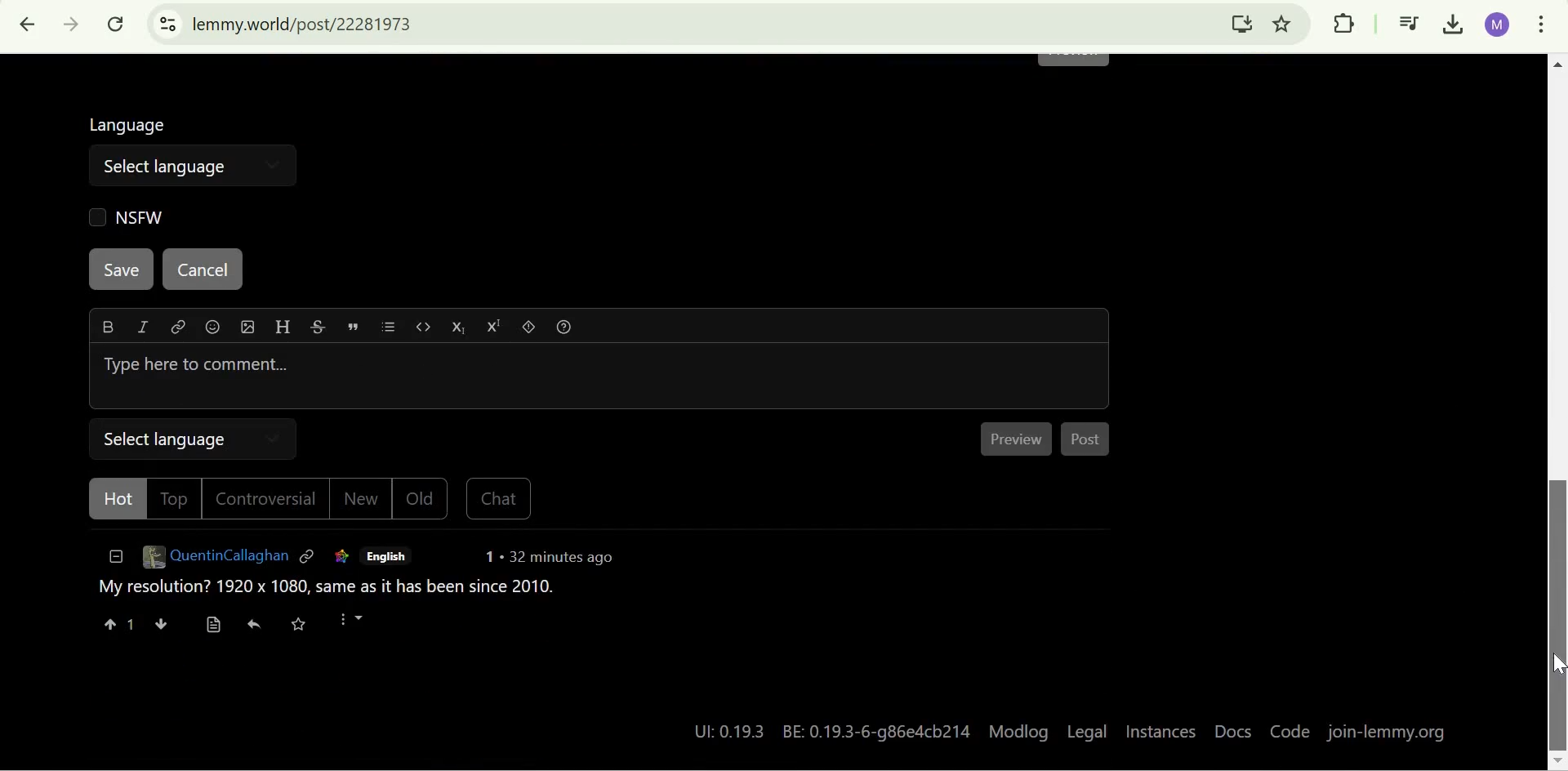 This screenshot has width=1568, height=771. What do you see at coordinates (1019, 730) in the screenshot?
I see `Modlog` at bounding box center [1019, 730].